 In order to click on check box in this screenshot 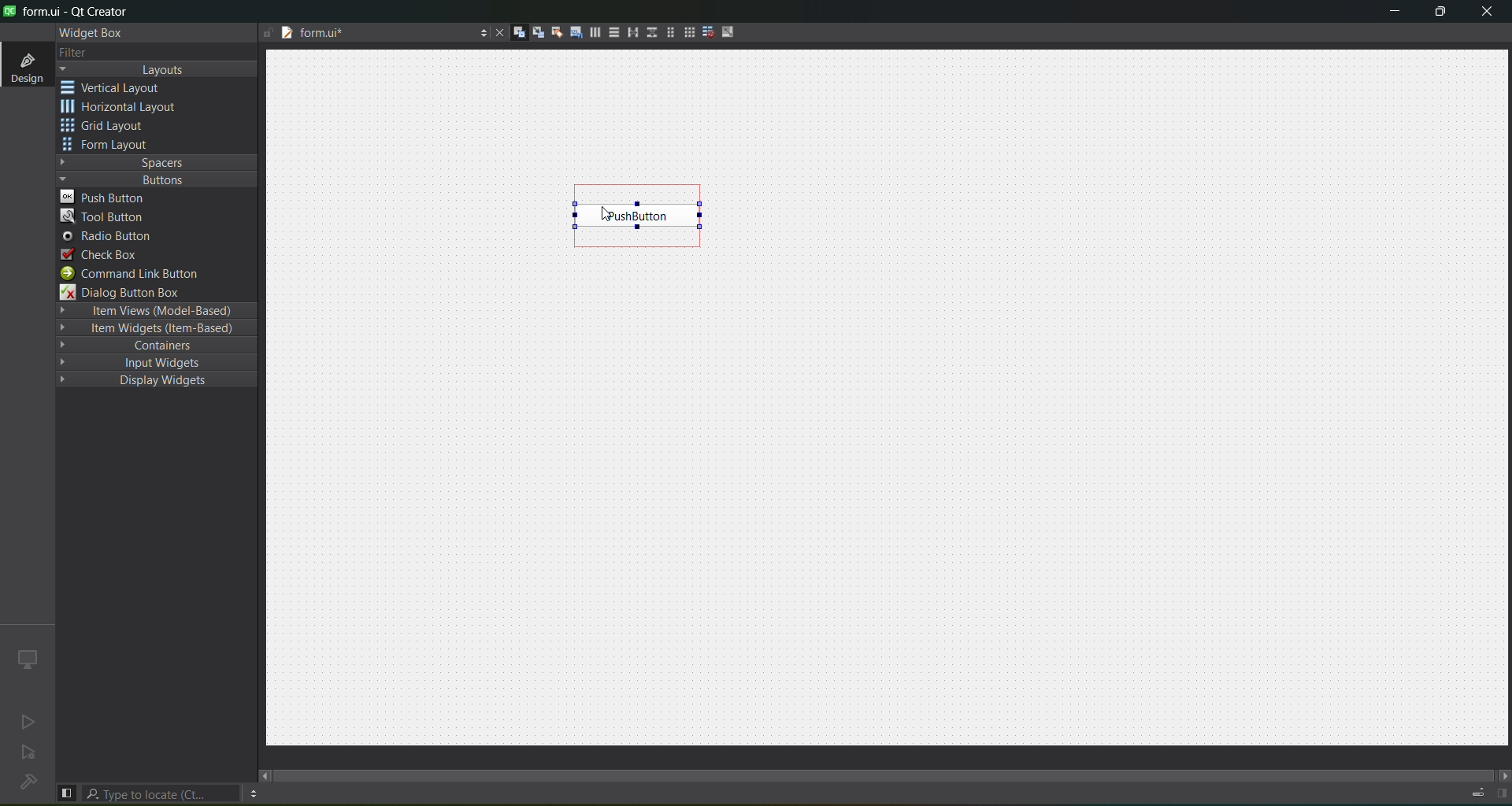, I will do `click(101, 254)`.